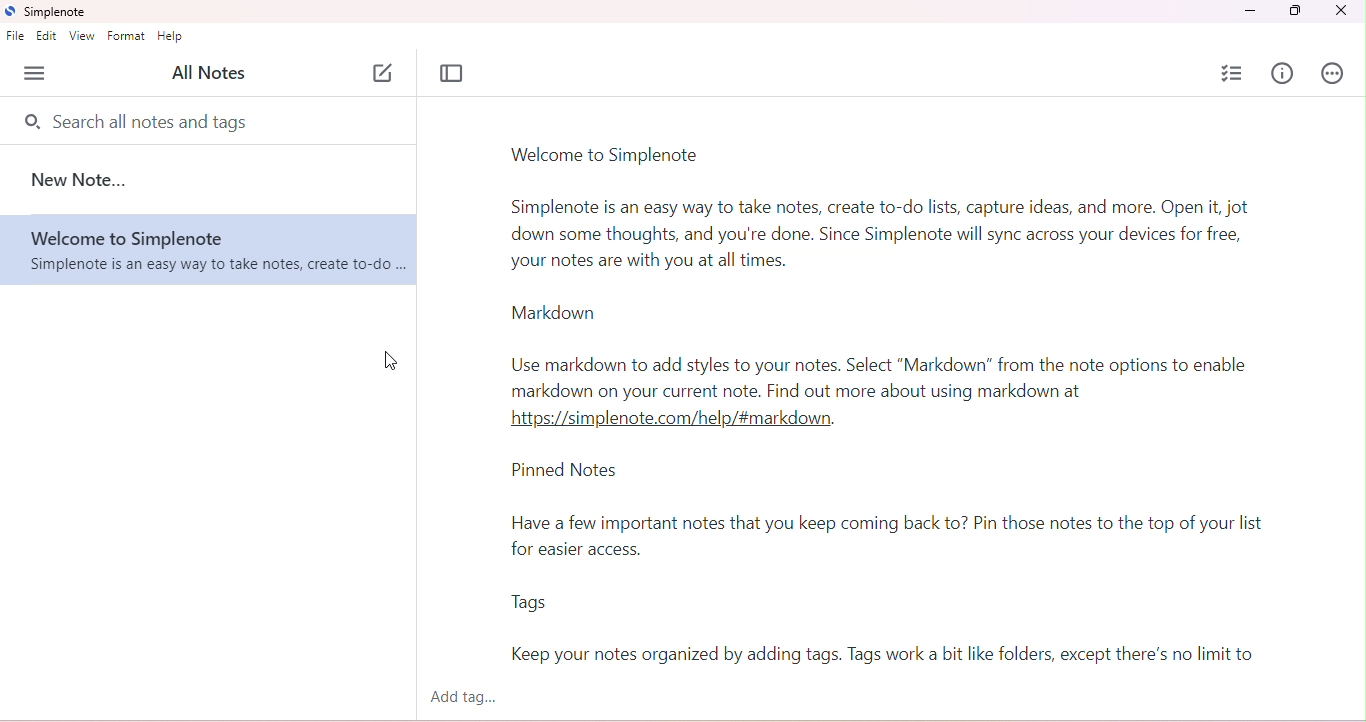  I want to click on new note, so click(386, 75).